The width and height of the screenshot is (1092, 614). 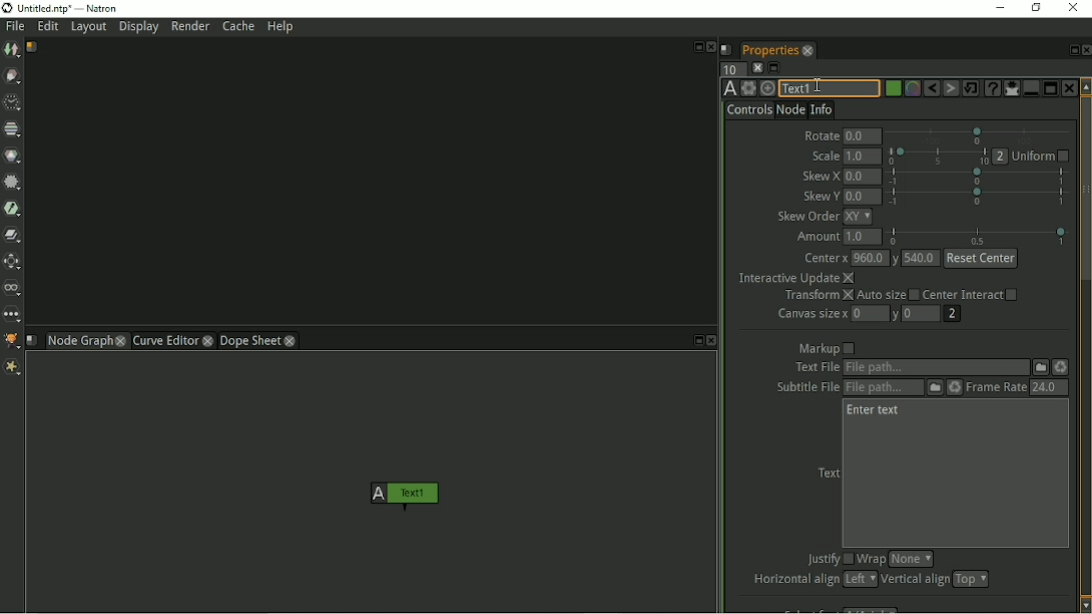 What do you see at coordinates (807, 216) in the screenshot?
I see `Skew Order` at bounding box center [807, 216].